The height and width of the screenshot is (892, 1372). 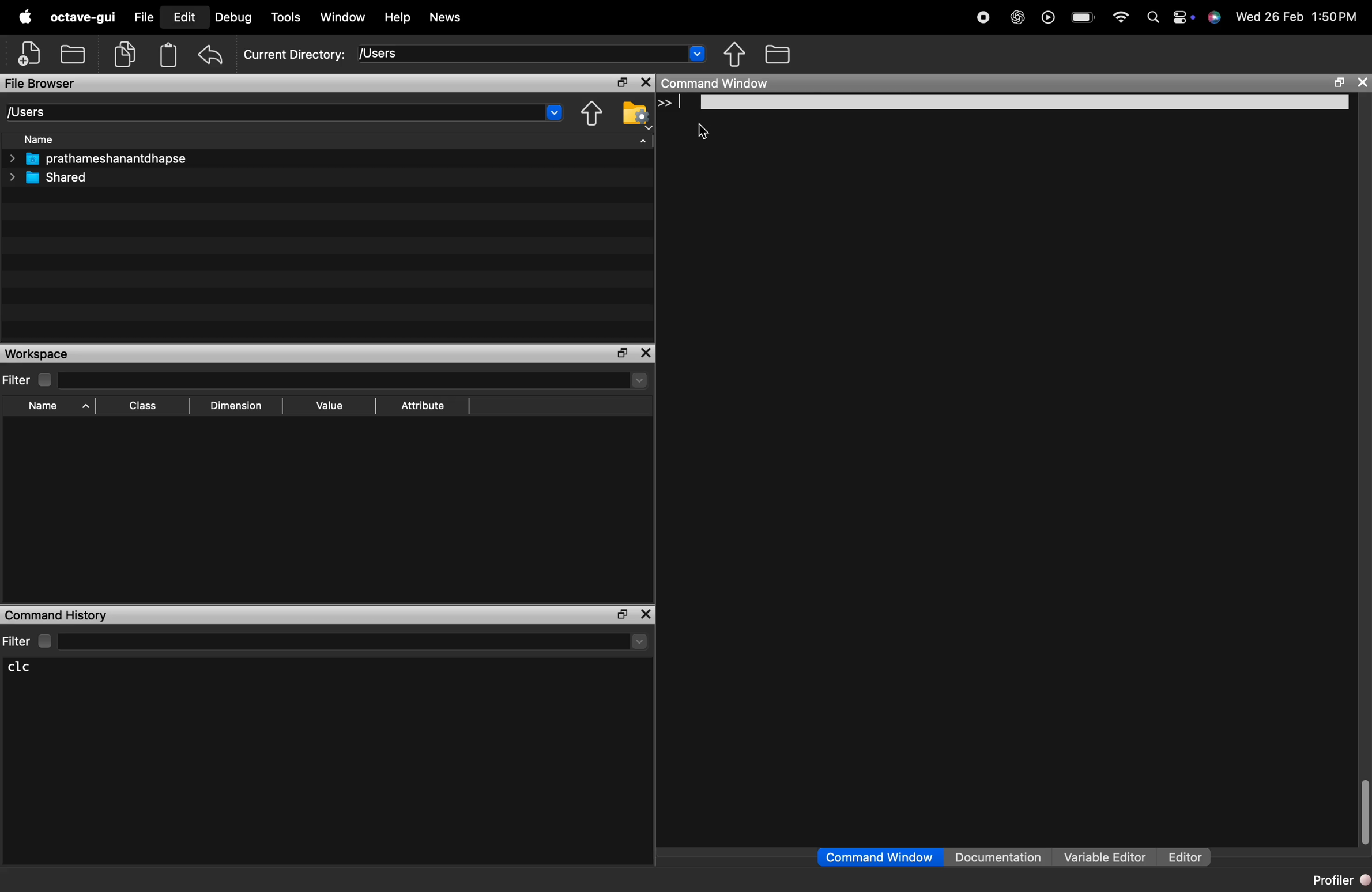 I want to click on copy, so click(x=127, y=55).